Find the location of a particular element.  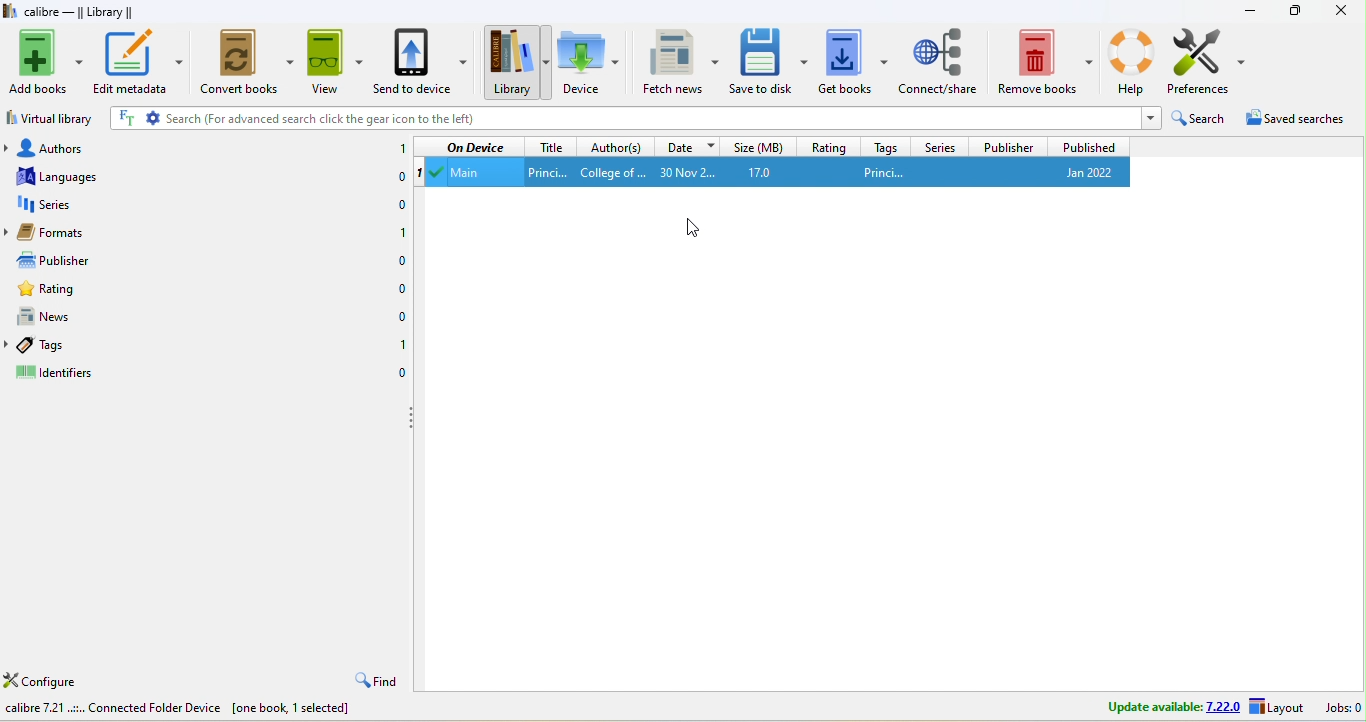

series is located at coordinates (938, 145).